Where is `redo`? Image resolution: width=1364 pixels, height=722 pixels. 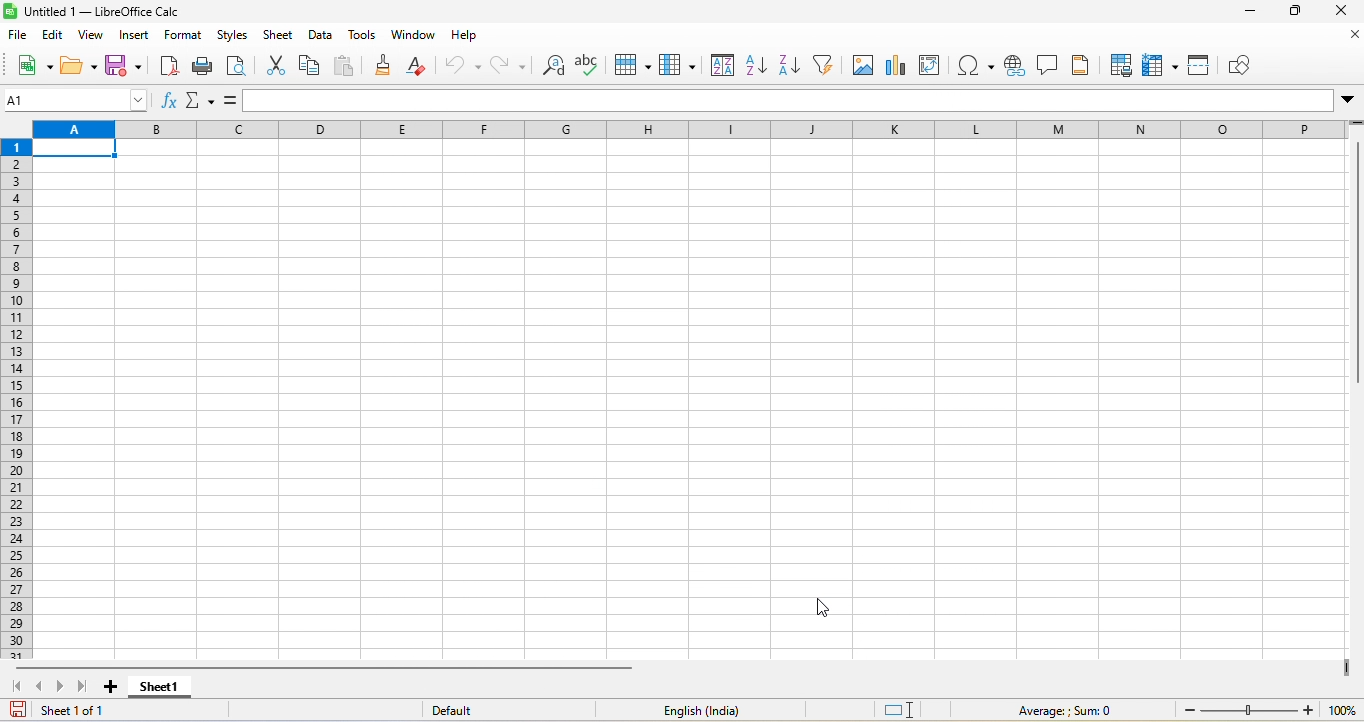
redo is located at coordinates (506, 67).